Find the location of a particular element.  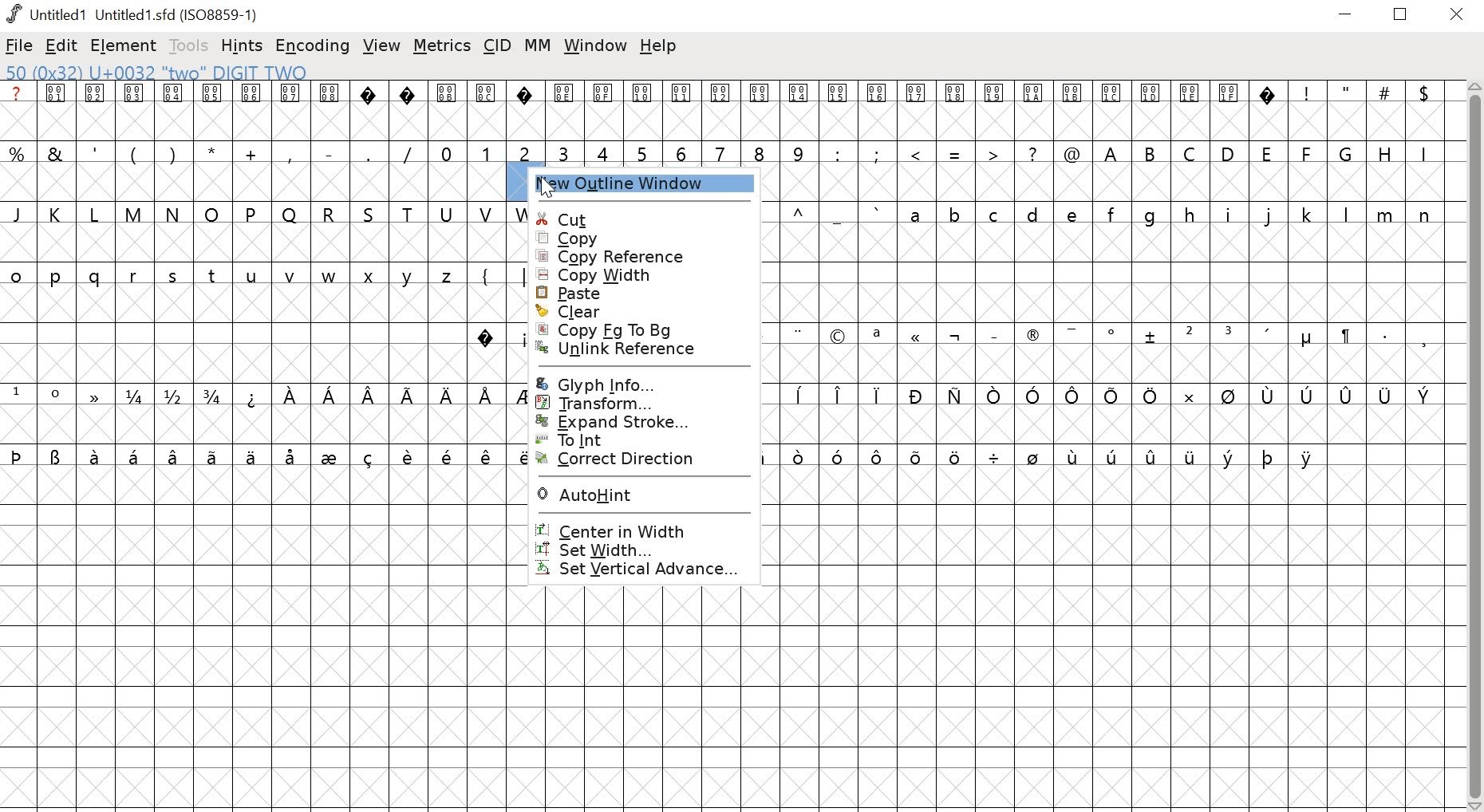

50 (0x32) U+0032 "two" DIGIT TWO is located at coordinates (160, 73).